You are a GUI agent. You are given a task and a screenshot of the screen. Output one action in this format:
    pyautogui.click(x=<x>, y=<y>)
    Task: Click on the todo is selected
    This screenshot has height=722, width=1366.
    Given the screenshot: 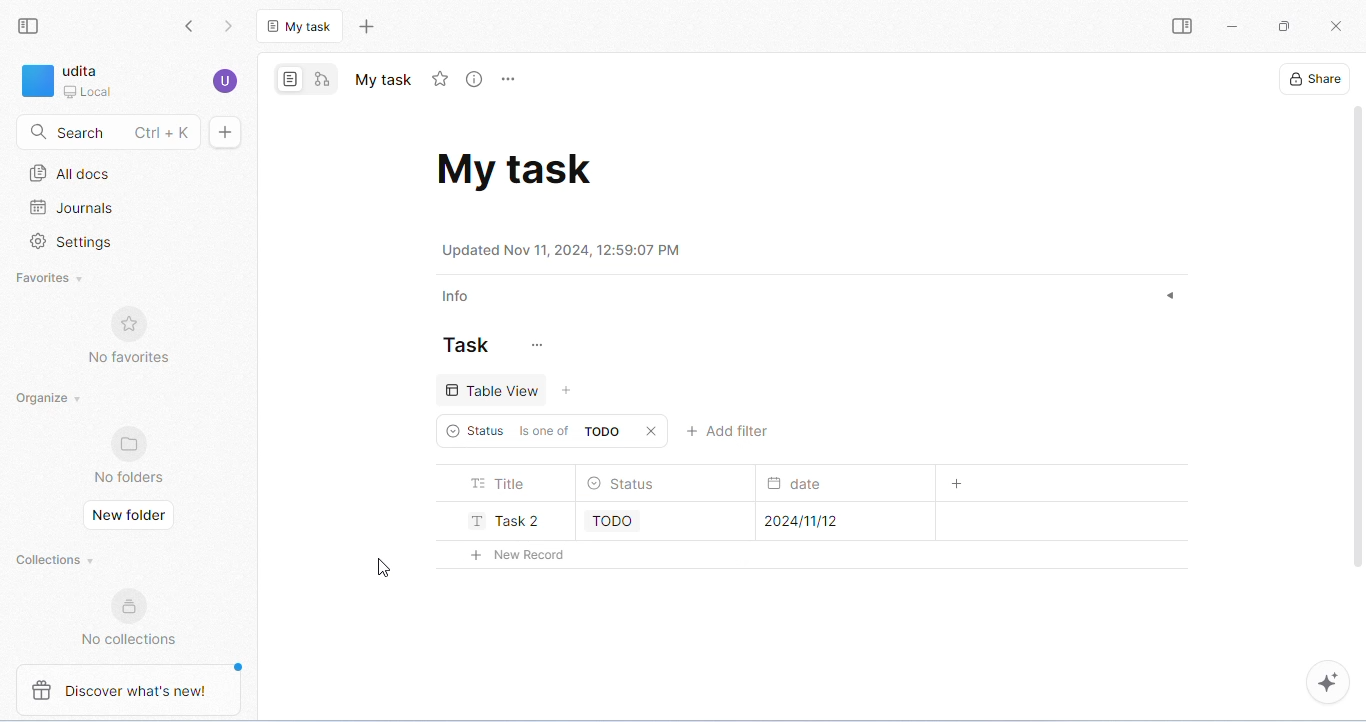 What is the action you would take?
    pyautogui.click(x=603, y=431)
    